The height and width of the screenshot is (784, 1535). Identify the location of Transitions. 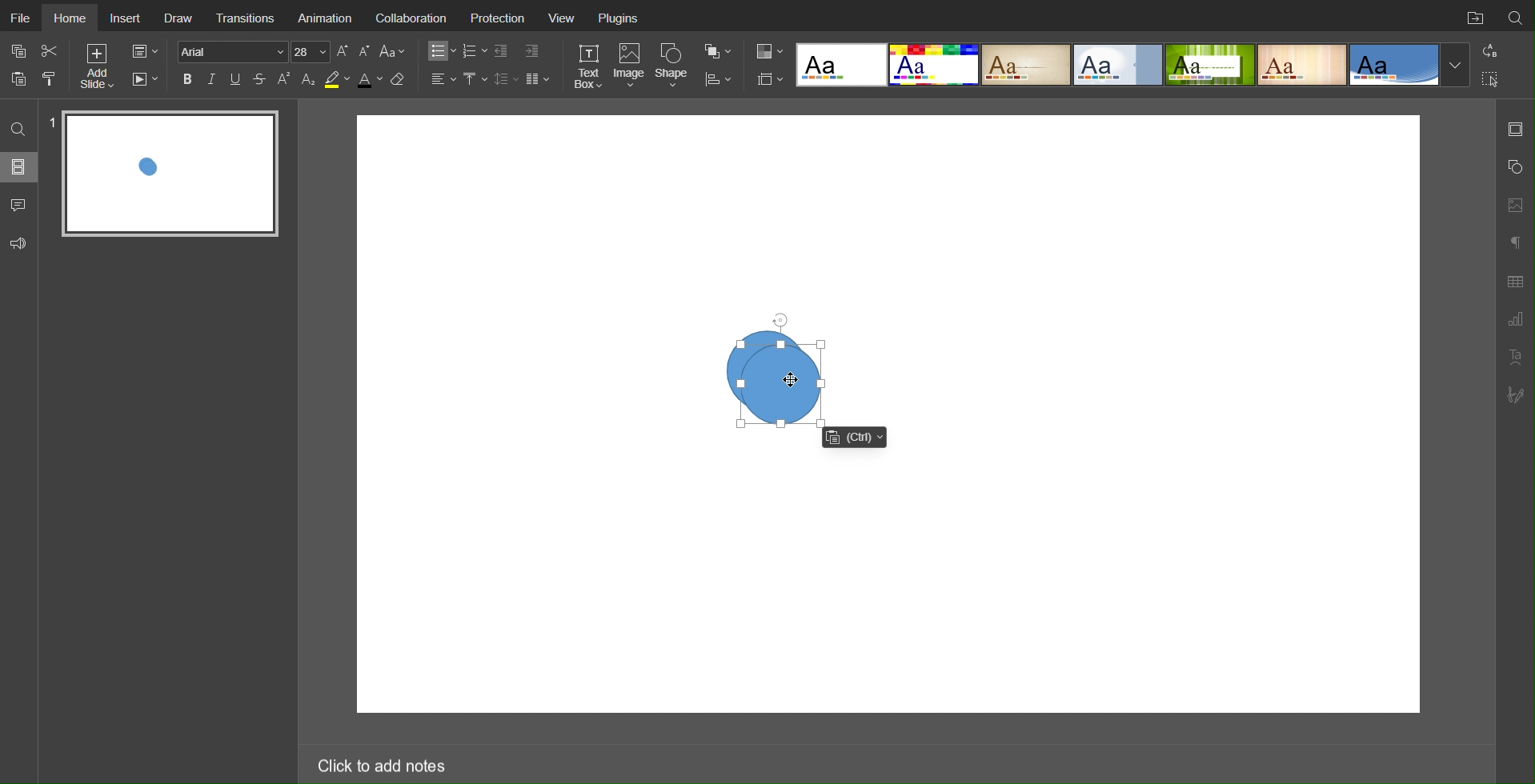
(248, 16).